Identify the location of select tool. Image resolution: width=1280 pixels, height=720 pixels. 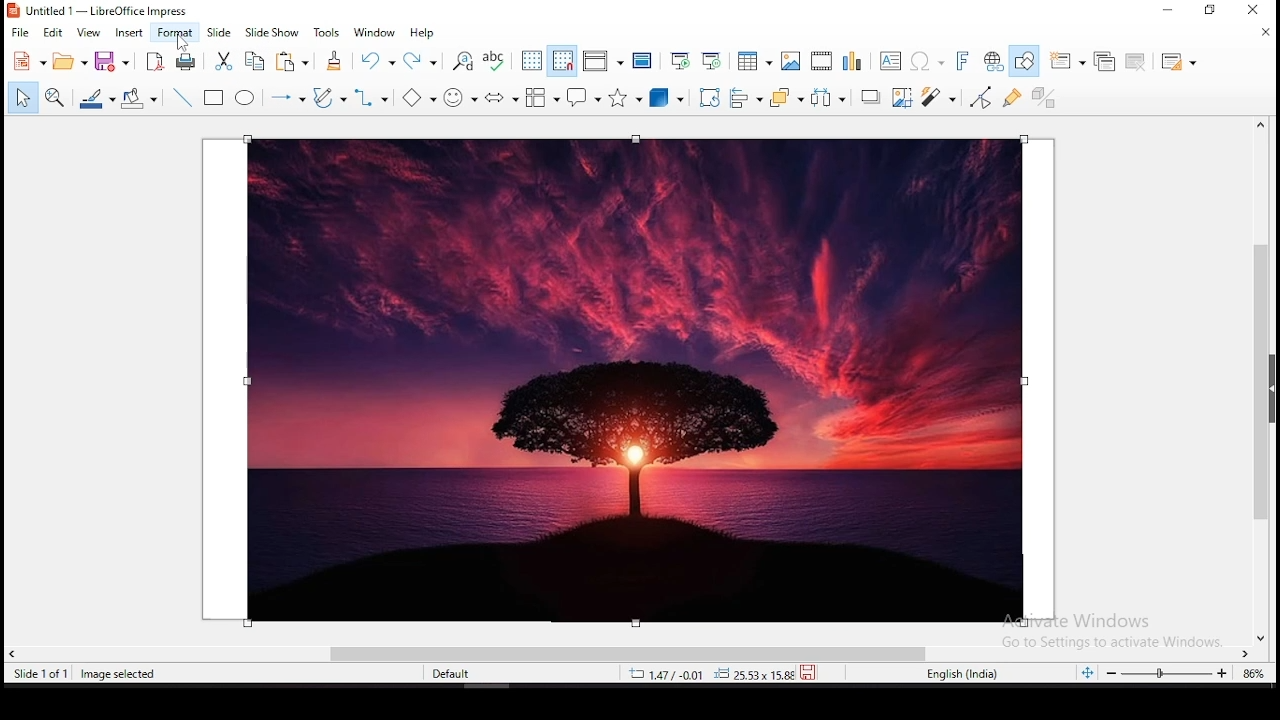
(20, 99).